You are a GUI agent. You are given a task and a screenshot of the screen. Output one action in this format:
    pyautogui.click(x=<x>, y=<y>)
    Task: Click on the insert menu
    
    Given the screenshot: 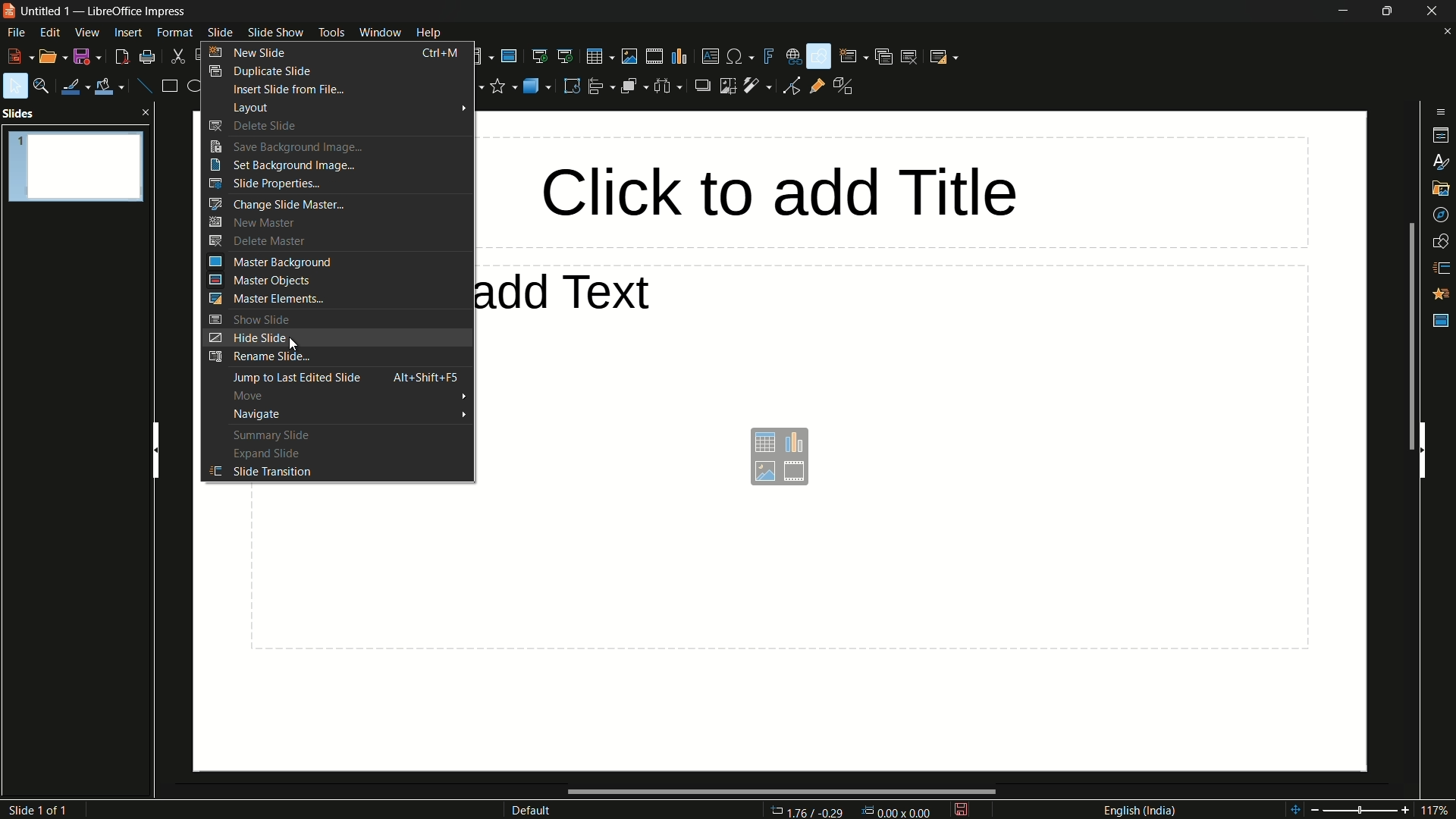 What is the action you would take?
    pyautogui.click(x=128, y=33)
    